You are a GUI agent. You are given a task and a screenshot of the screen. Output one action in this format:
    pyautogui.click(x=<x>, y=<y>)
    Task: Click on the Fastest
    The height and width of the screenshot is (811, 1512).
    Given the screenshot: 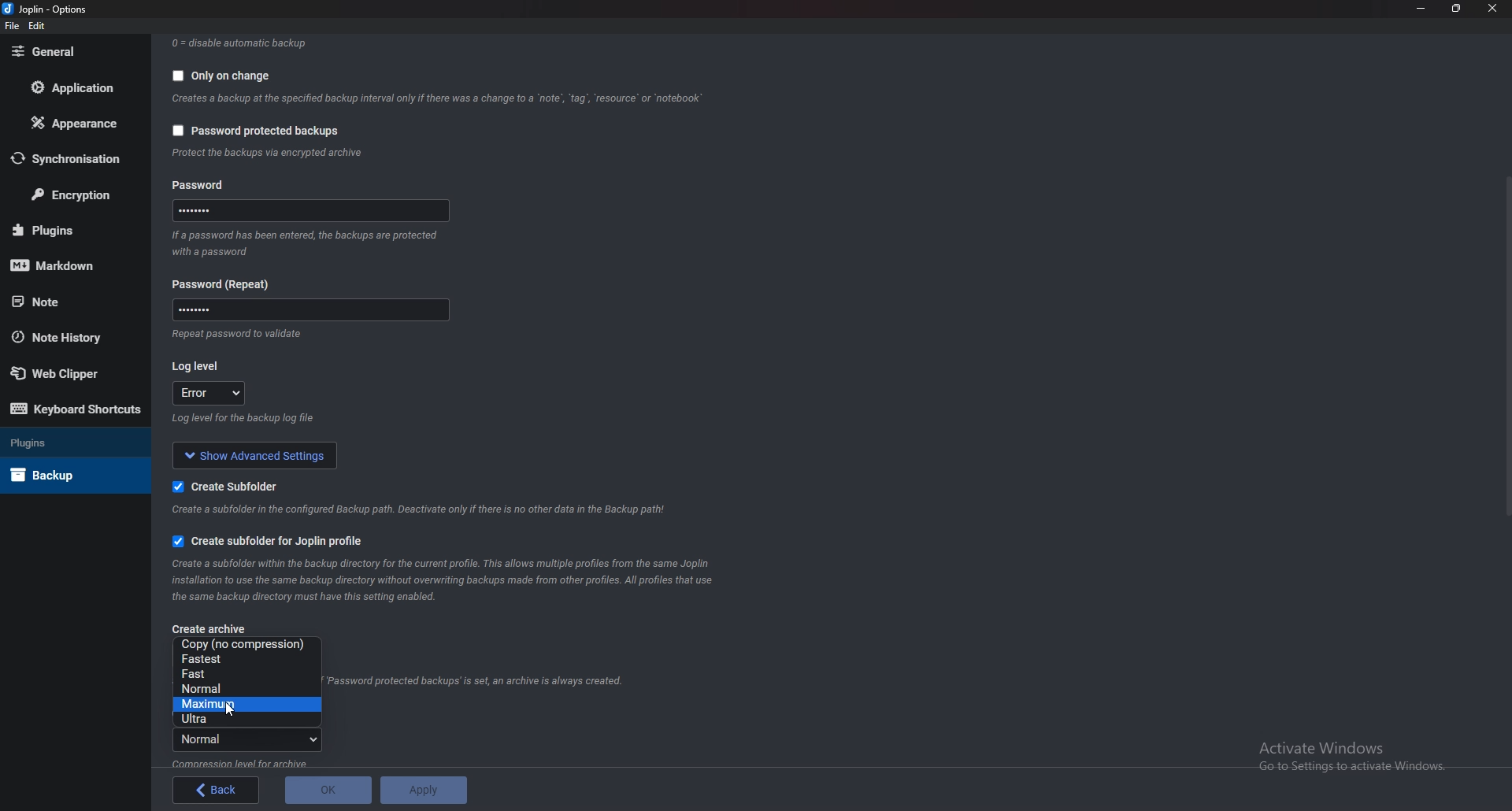 What is the action you would take?
    pyautogui.click(x=243, y=660)
    